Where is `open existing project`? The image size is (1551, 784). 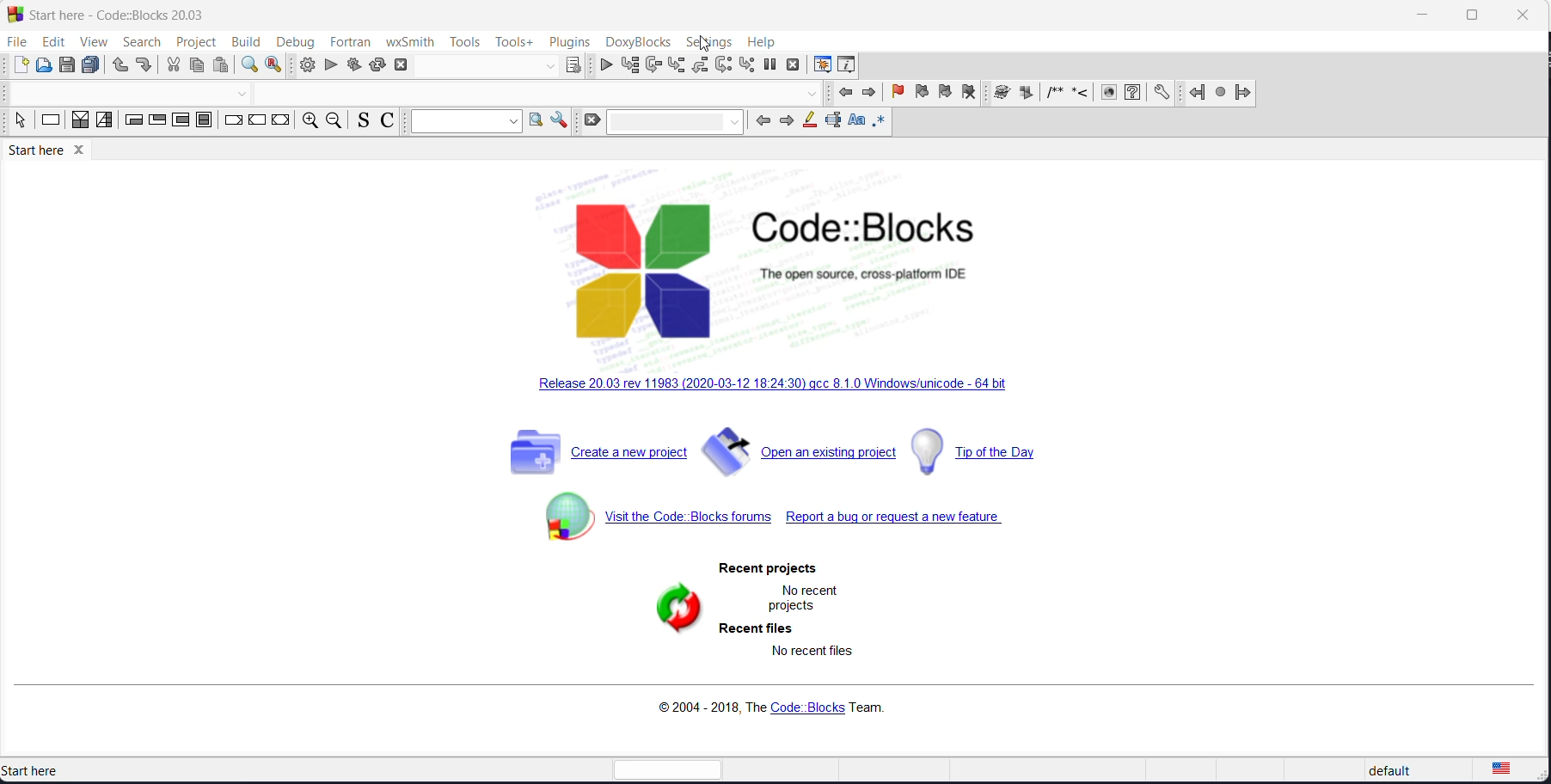
open existing project is located at coordinates (803, 452).